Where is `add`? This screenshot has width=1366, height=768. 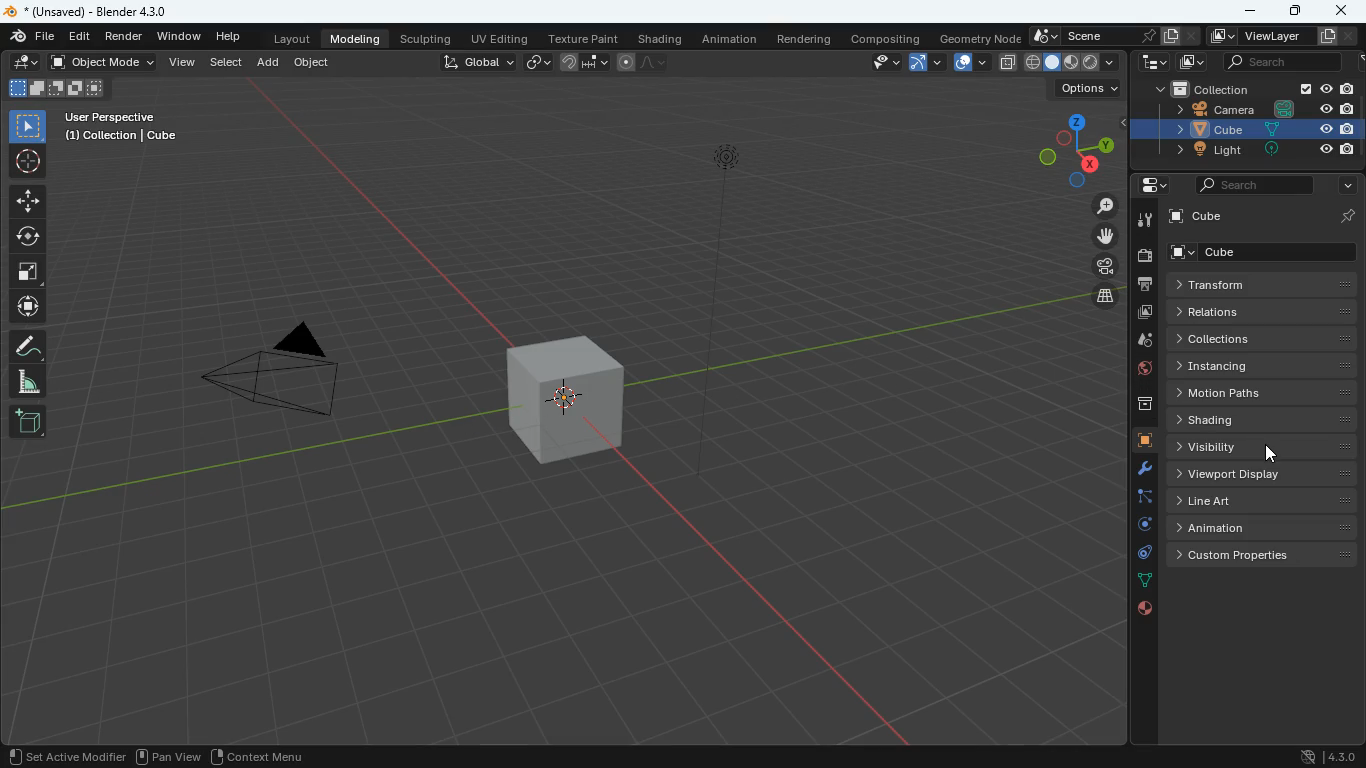 add is located at coordinates (270, 65).